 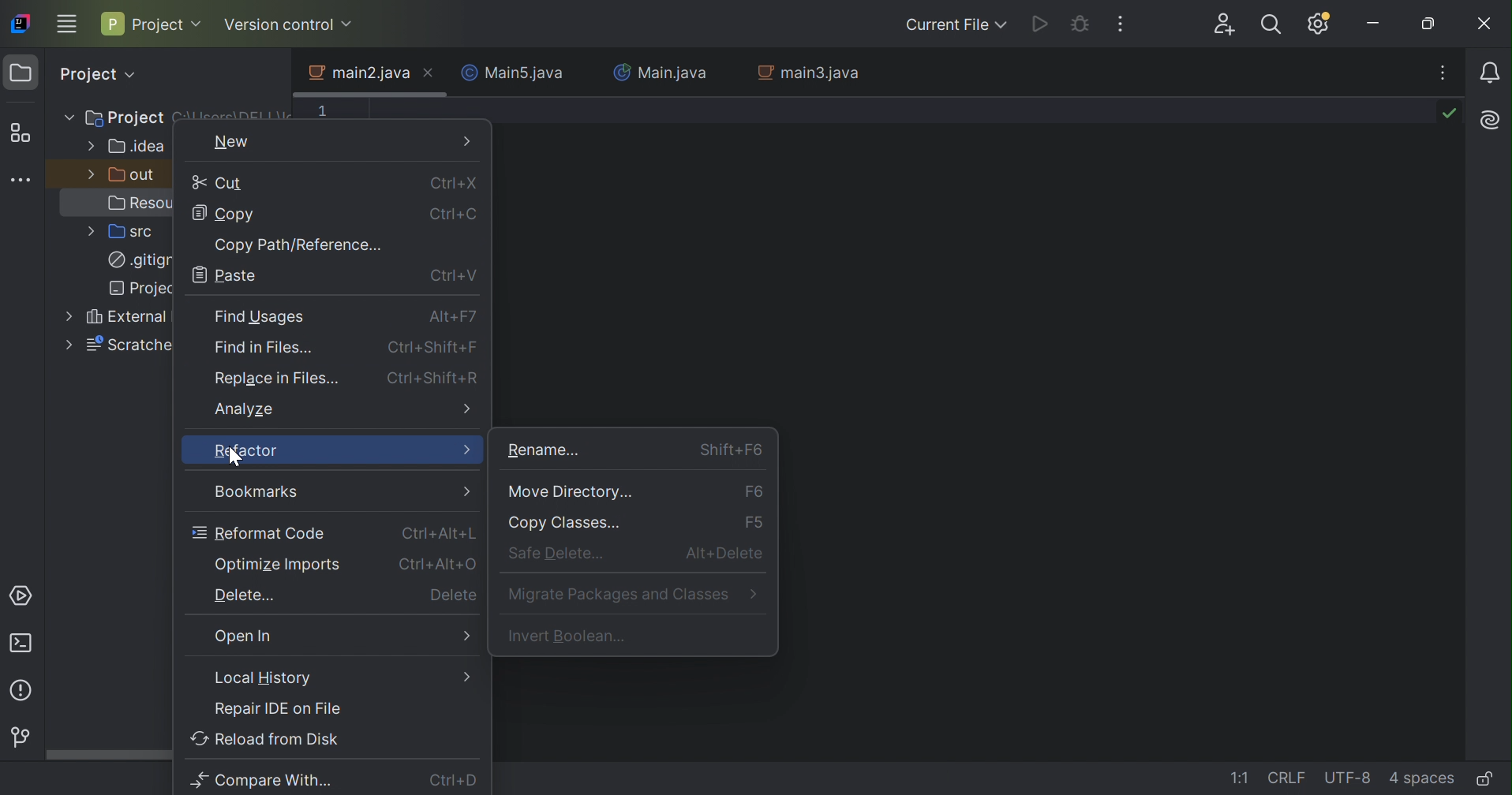 I want to click on Ctrl+X, so click(x=455, y=184).